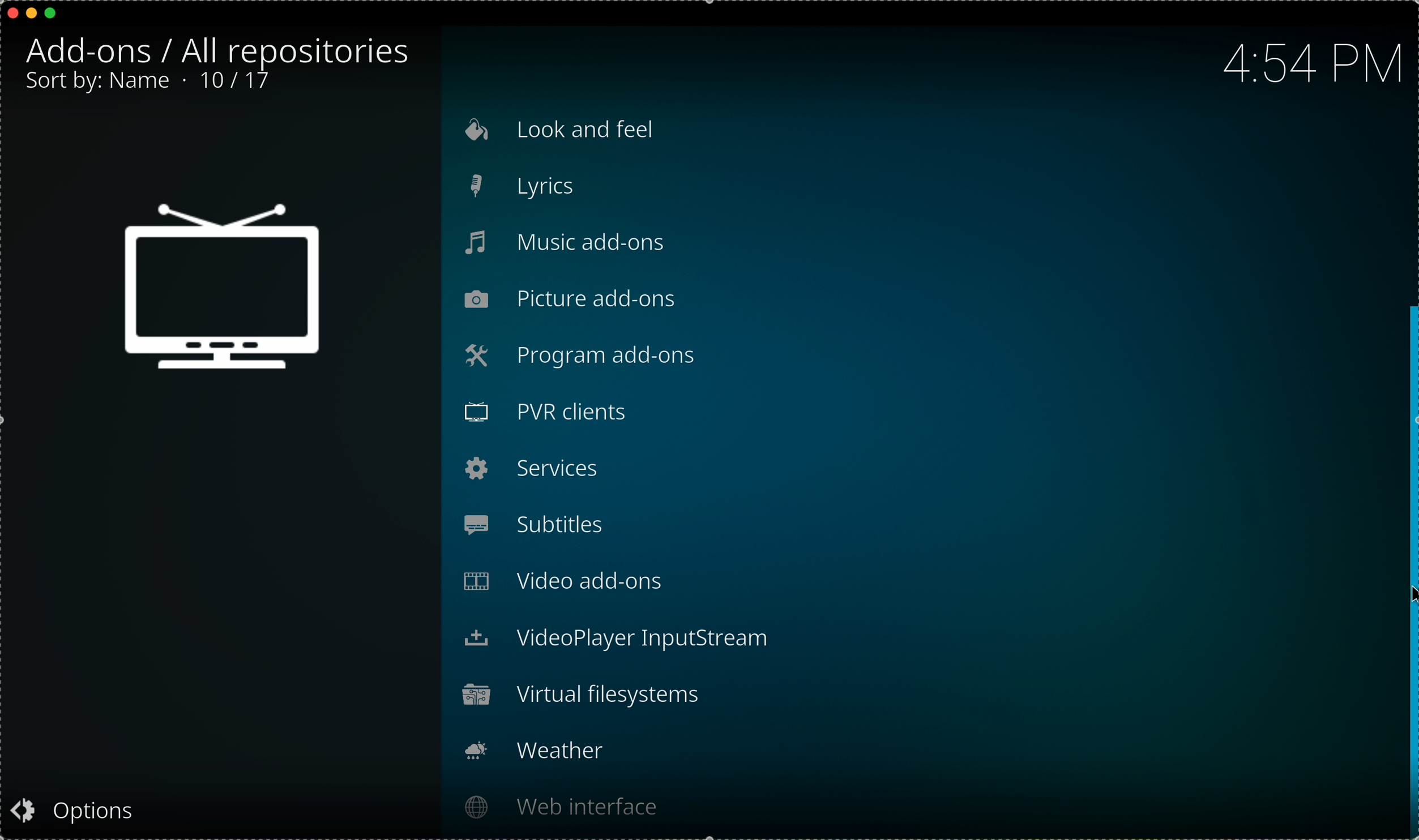 Image resolution: width=1419 pixels, height=840 pixels. Describe the element at coordinates (572, 300) in the screenshot. I see `picture add-ons` at that location.